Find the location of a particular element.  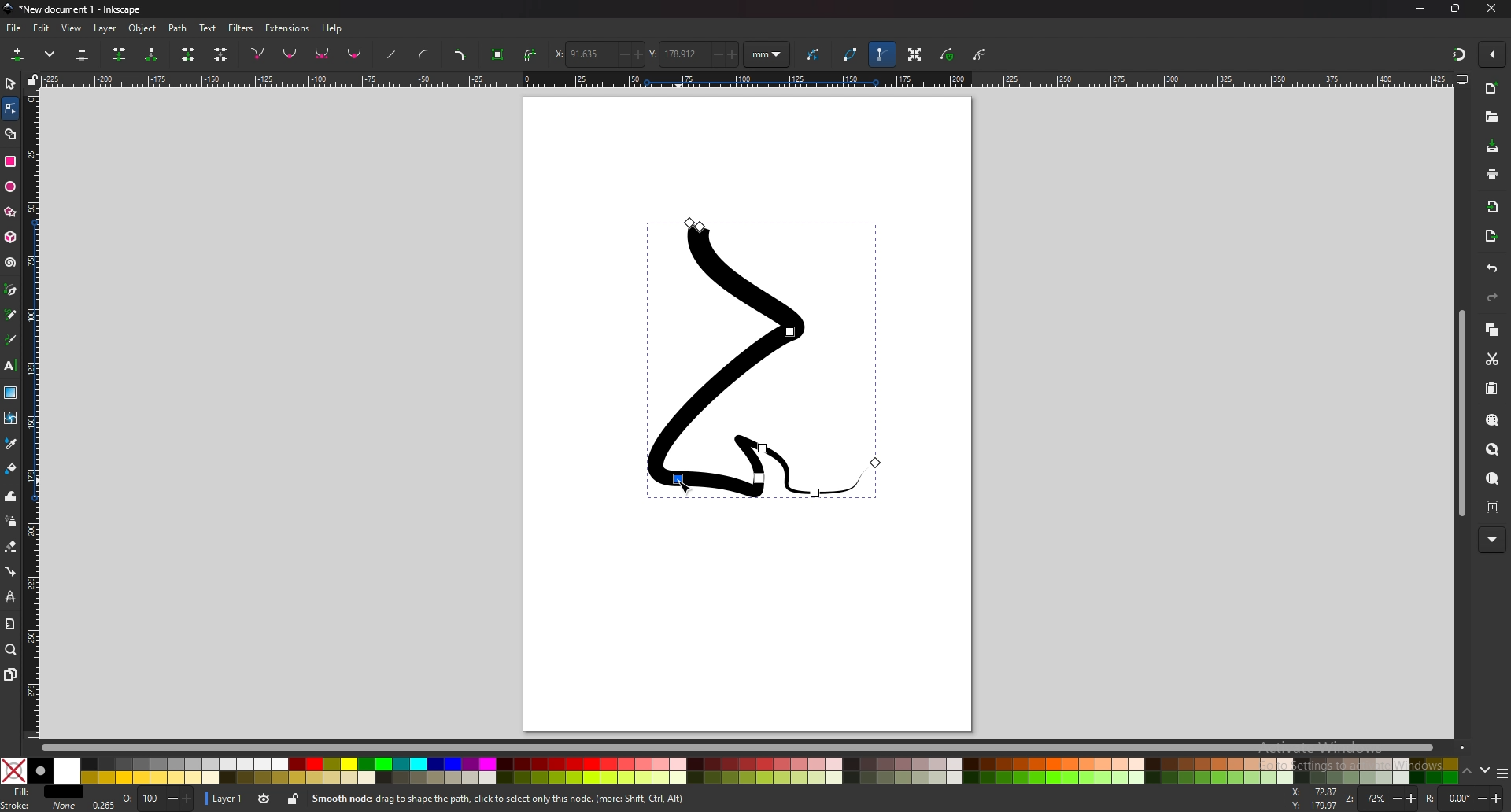

text is located at coordinates (11, 366).